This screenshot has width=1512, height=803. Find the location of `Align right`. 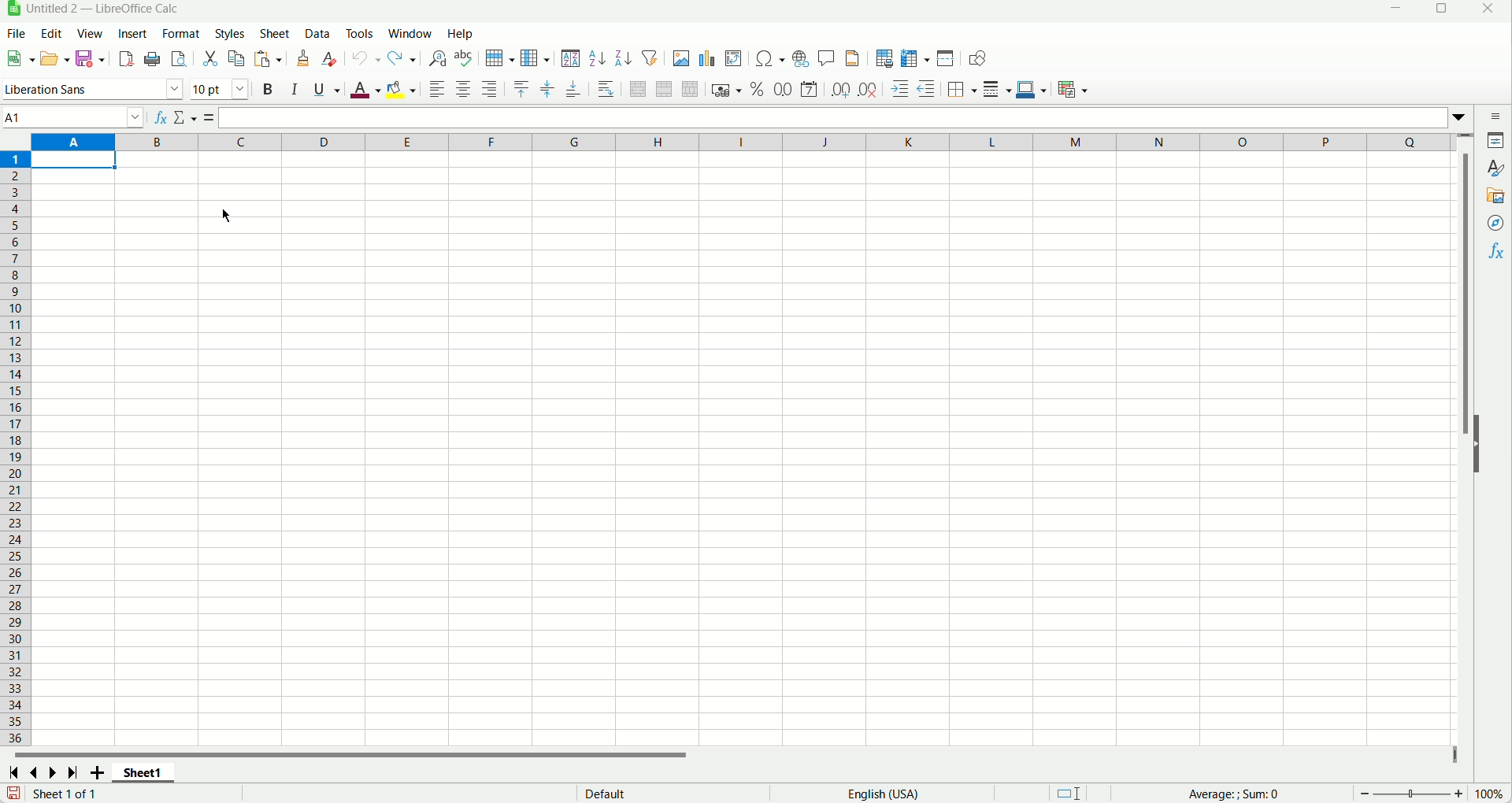

Align right is located at coordinates (489, 90).